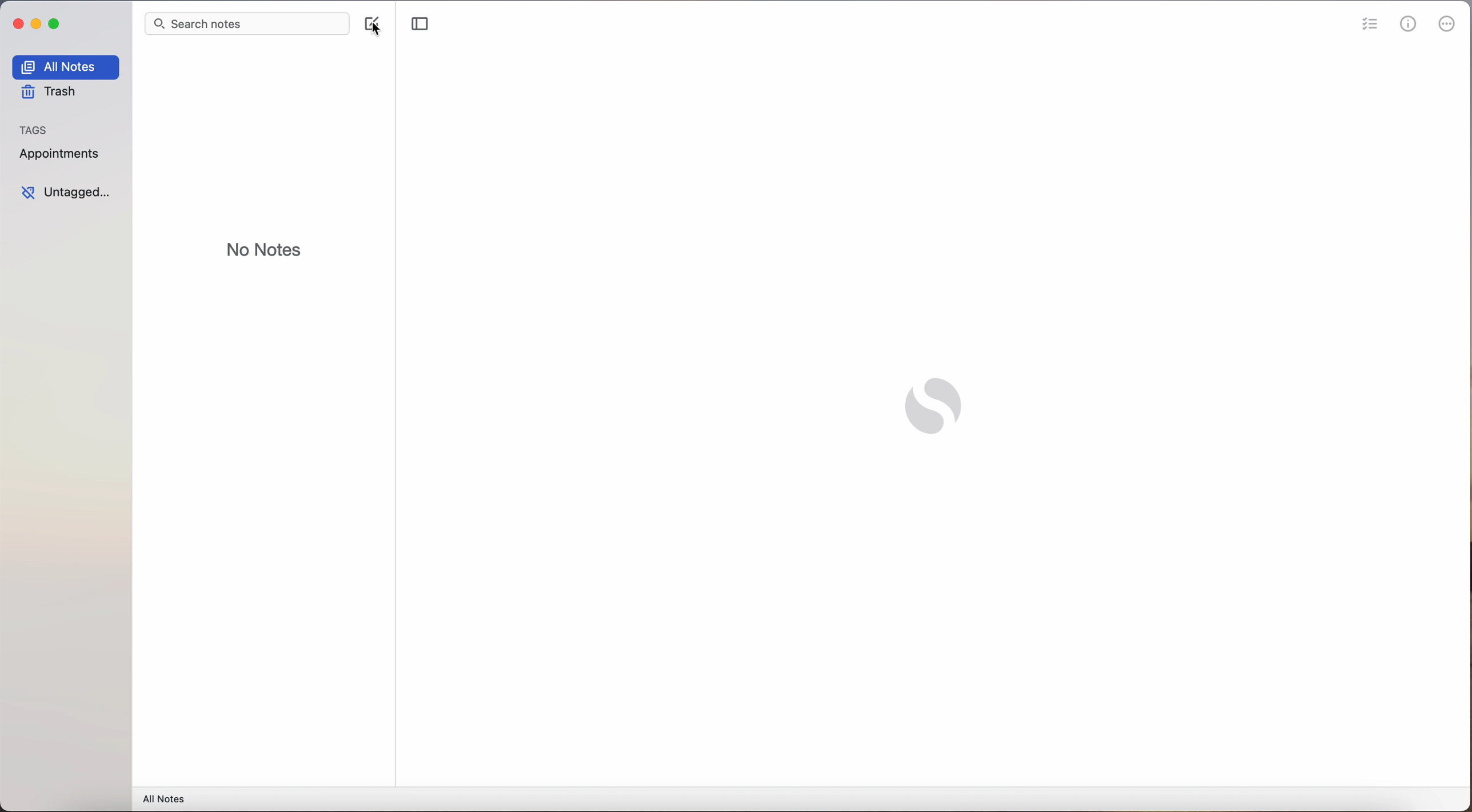  I want to click on check list, so click(1370, 25).